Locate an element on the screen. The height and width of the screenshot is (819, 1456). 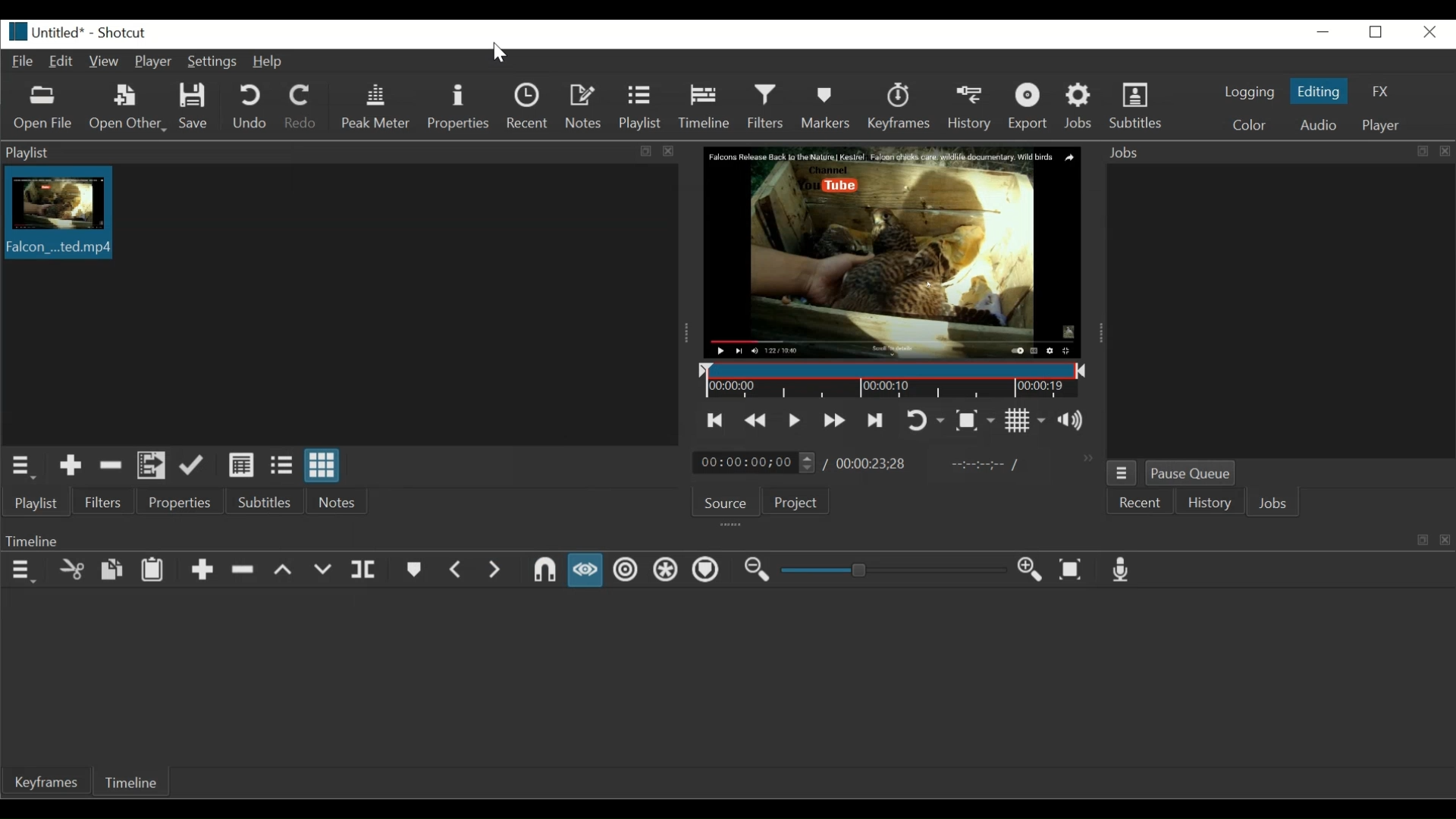
Markers is located at coordinates (825, 107).